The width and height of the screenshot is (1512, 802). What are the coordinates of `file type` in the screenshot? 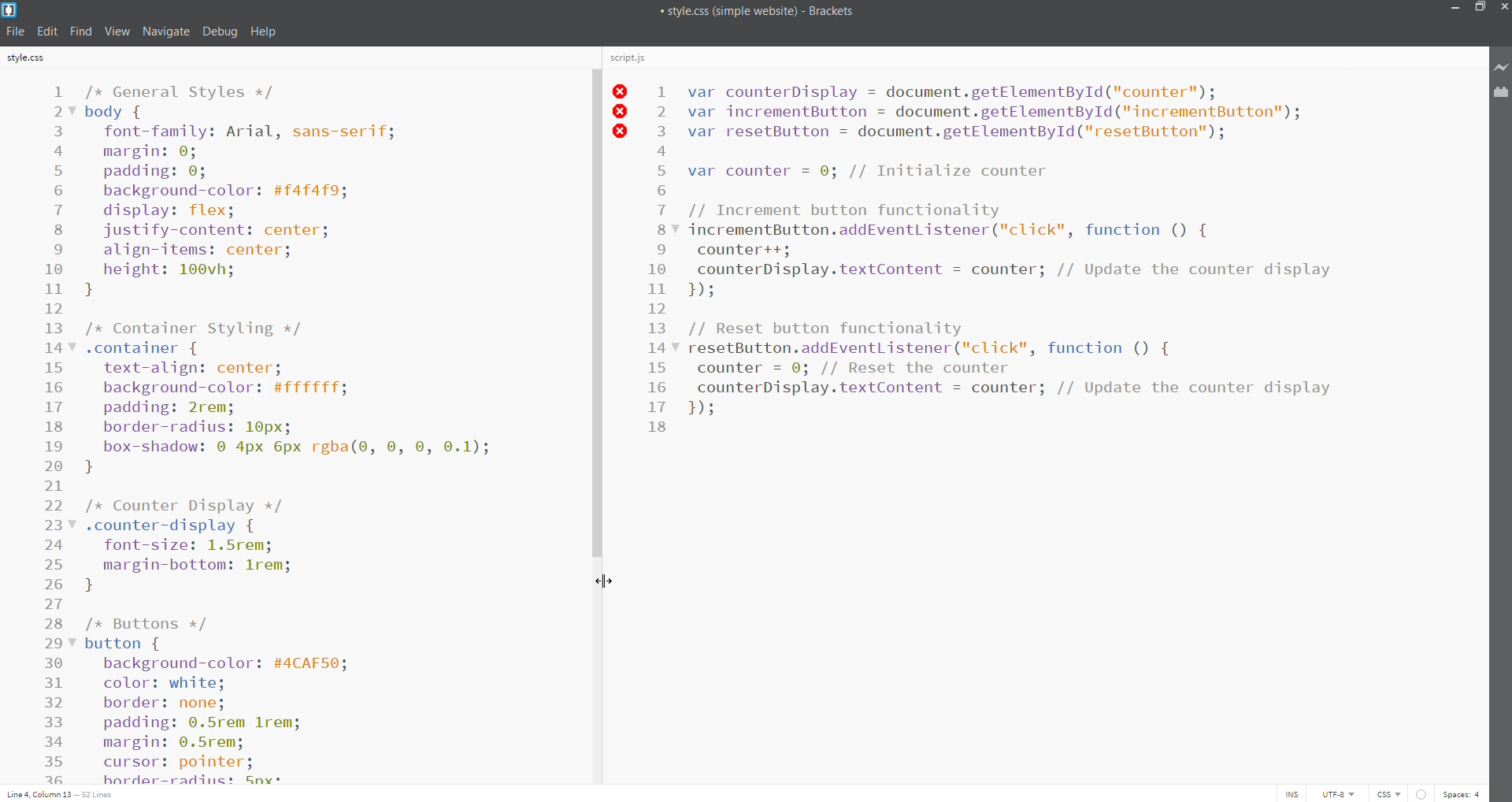 It's located at (1384, 793).